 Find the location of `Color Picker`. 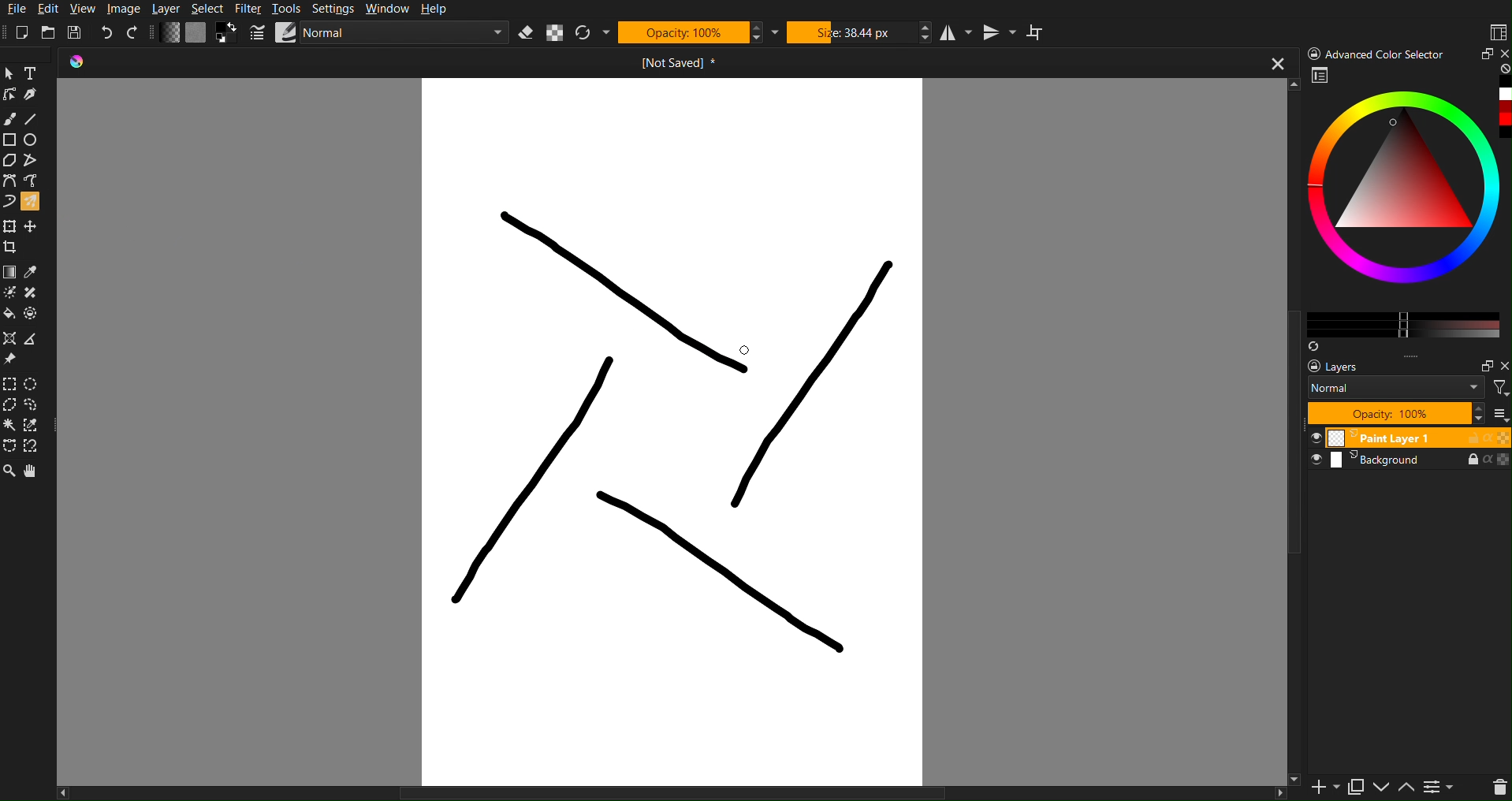

Color Picker is located at coordinates (35, 271).